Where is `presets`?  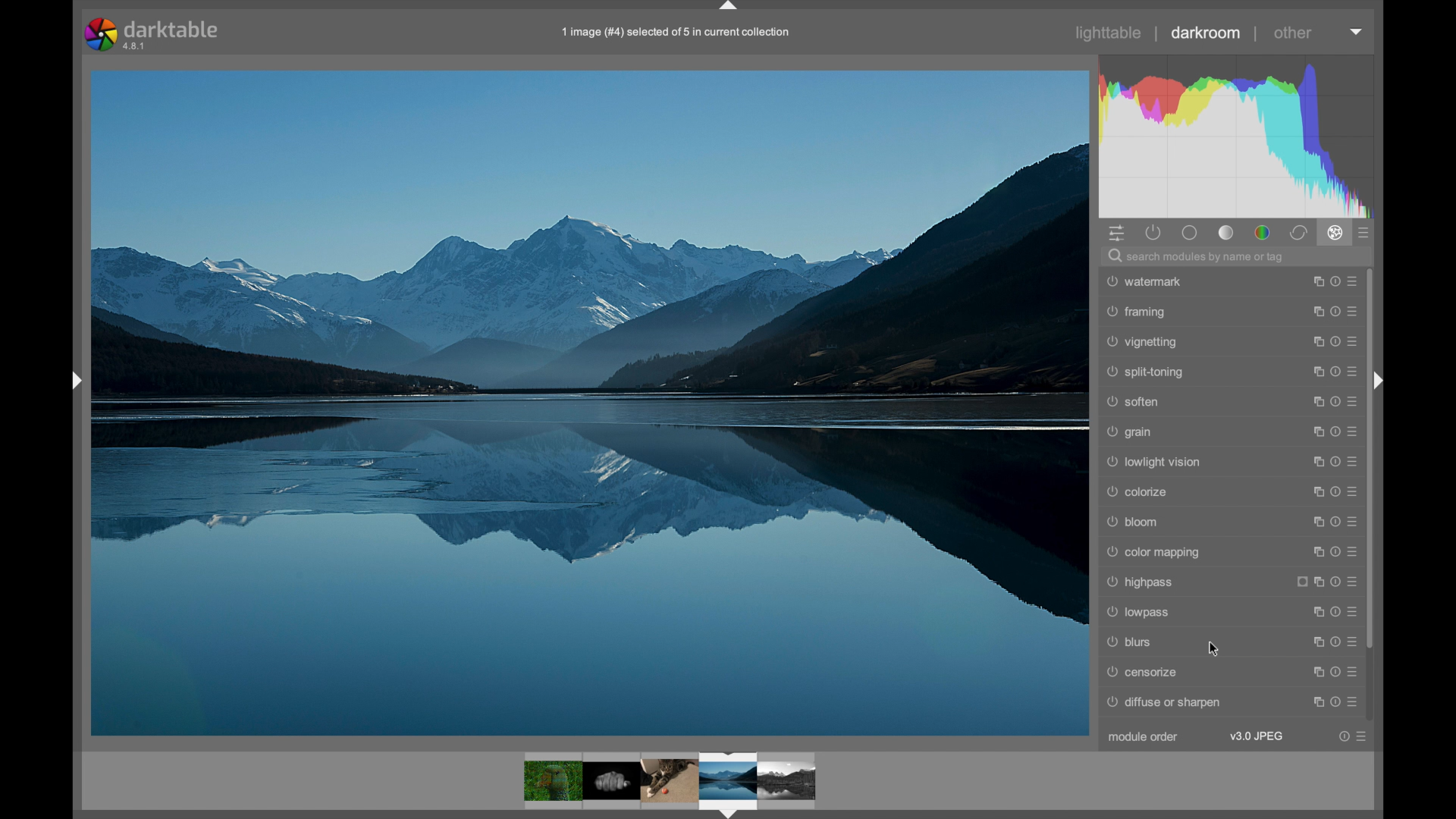 presets is located at coordinates (1365, 232).